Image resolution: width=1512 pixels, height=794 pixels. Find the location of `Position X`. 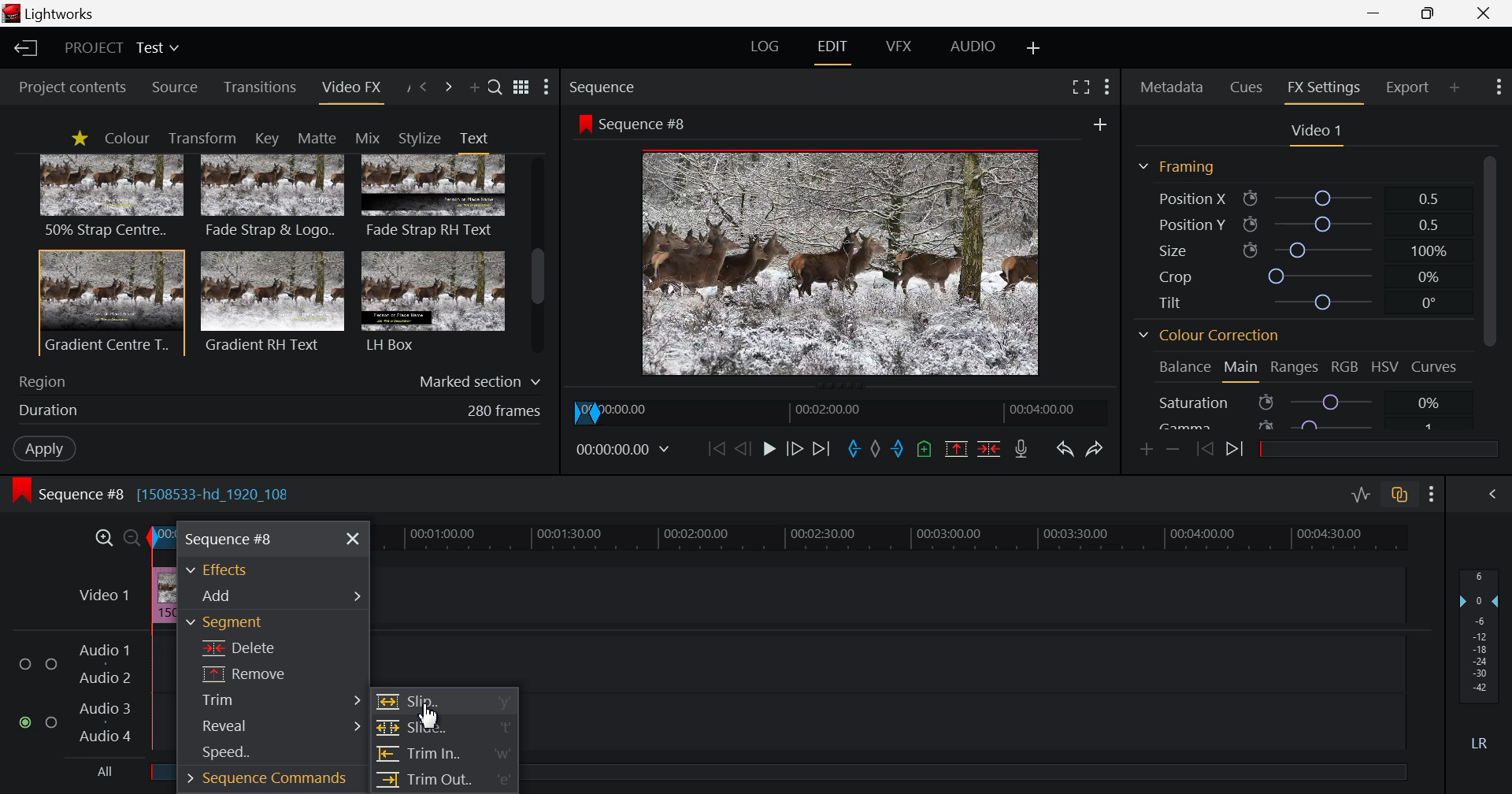

Position X is located at coordinates (1296, 199).